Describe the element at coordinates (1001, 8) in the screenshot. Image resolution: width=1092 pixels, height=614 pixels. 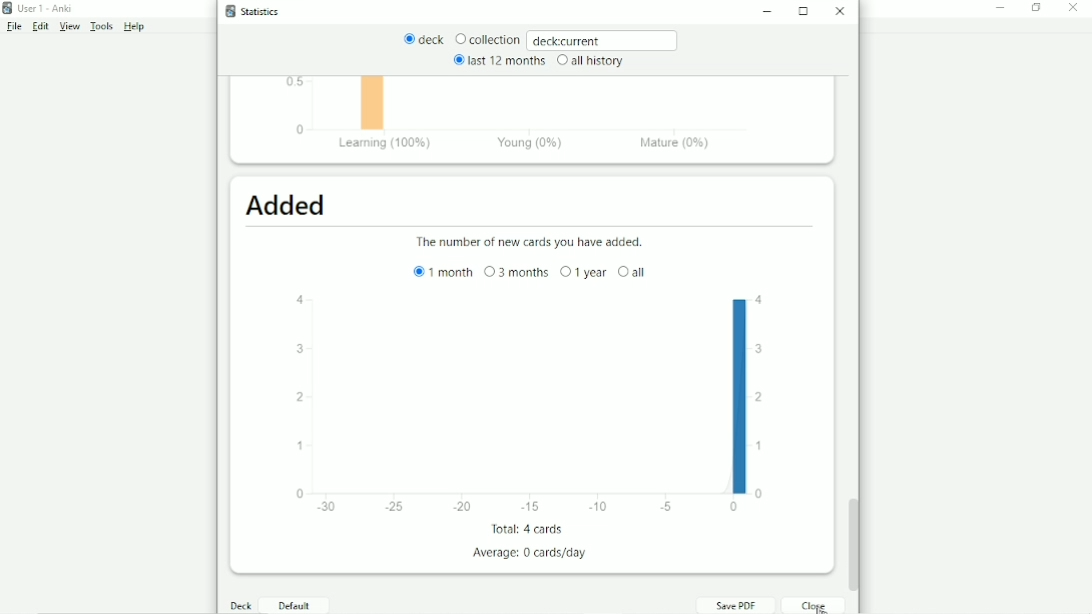
I see `Minimize` at that location.